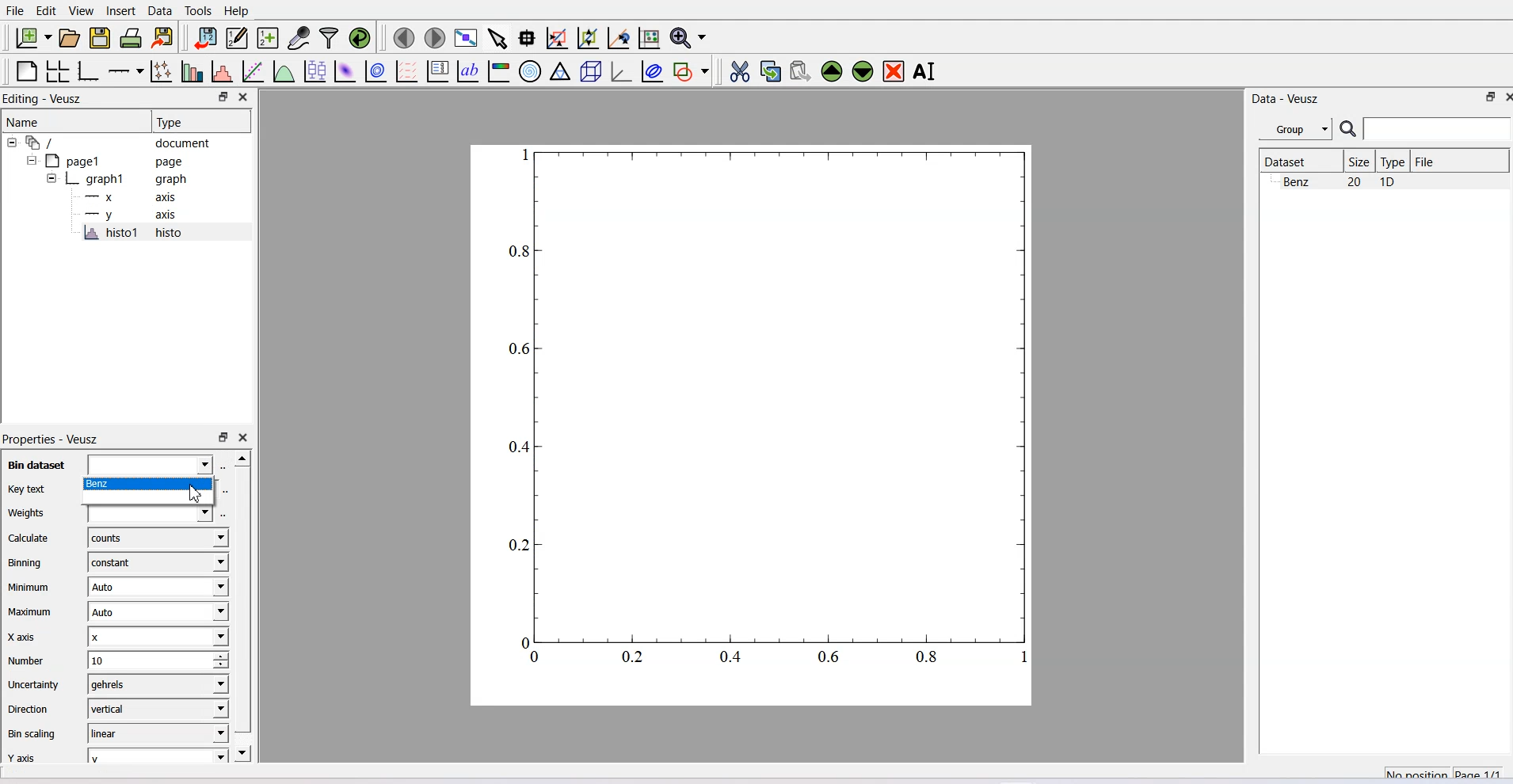 The width and height of the screenshot is (1513, 784). Describe the element at coordinates (146, 484) in the screenshot. I see `Benz` at that location.